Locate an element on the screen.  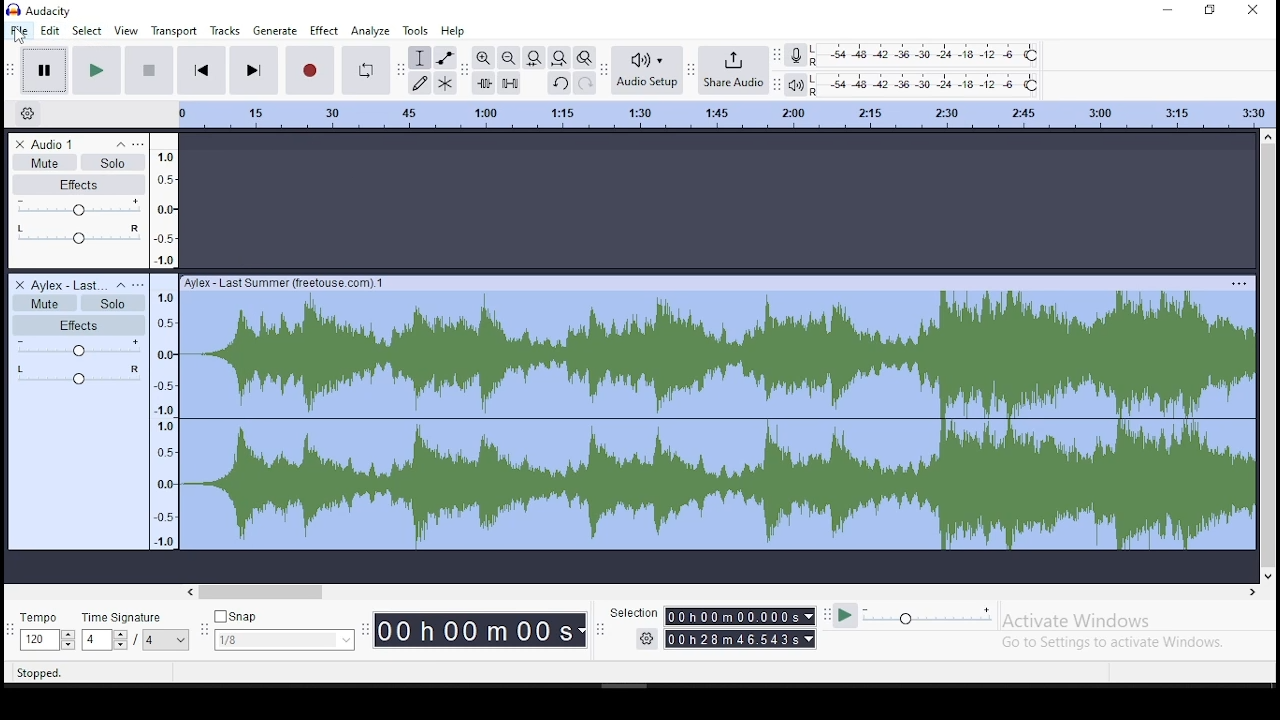
snap is located at coordinates (285, 631).